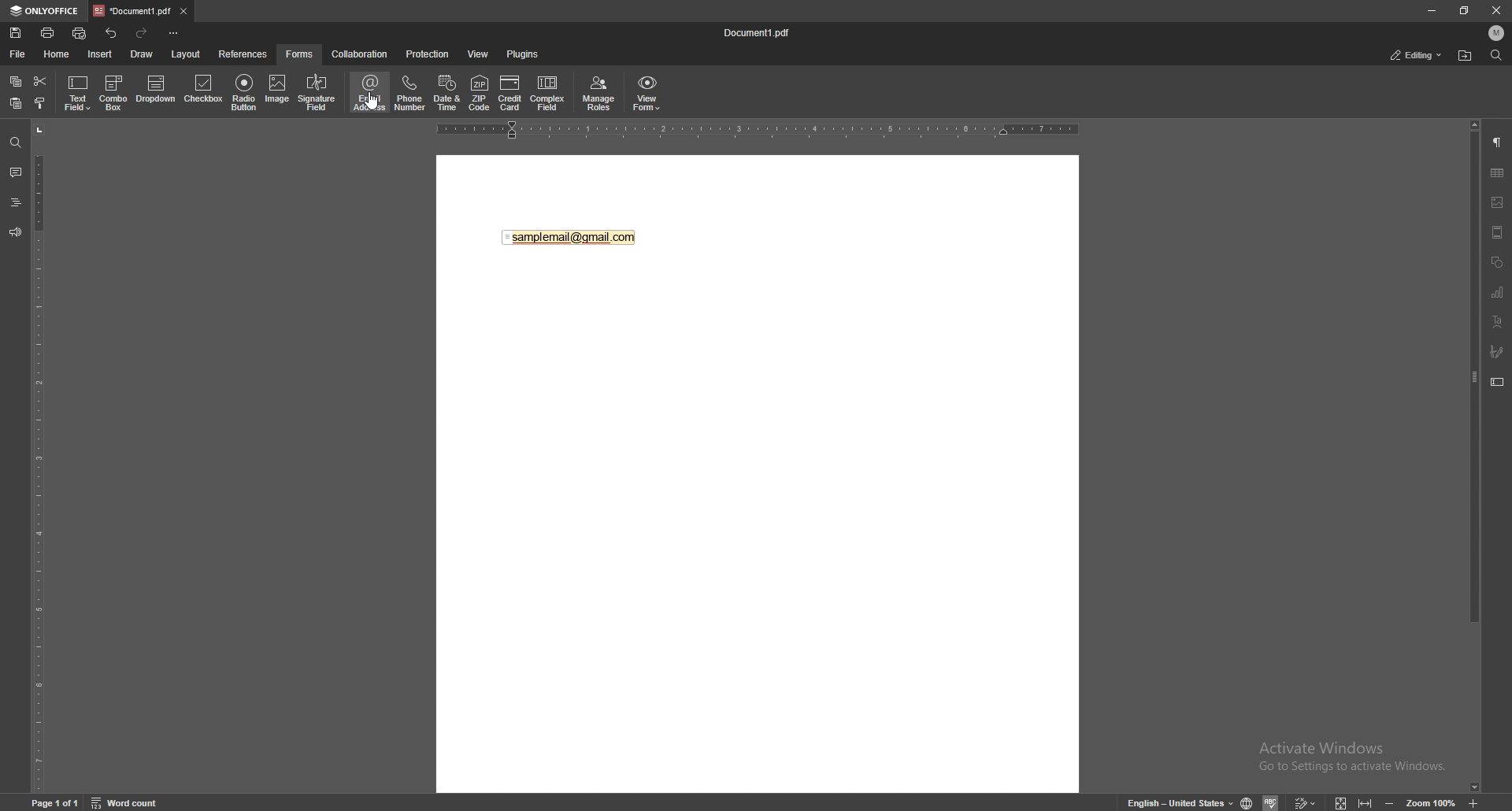  Describe the element at coordinates (1495, 10) in the screenshot. I see `close` at that location.